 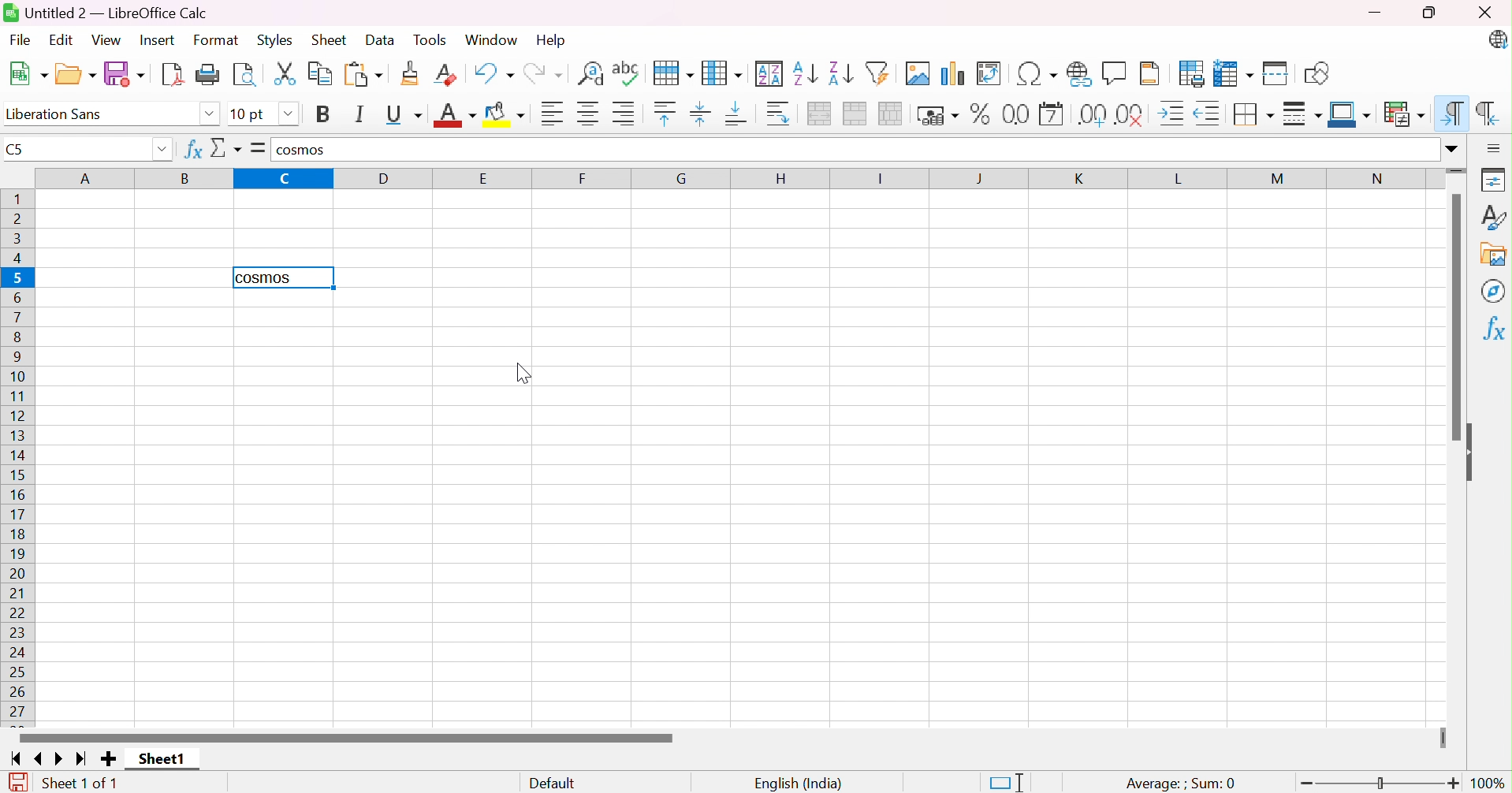 I want to click on Wrap Text, so click(x=779, y=116).